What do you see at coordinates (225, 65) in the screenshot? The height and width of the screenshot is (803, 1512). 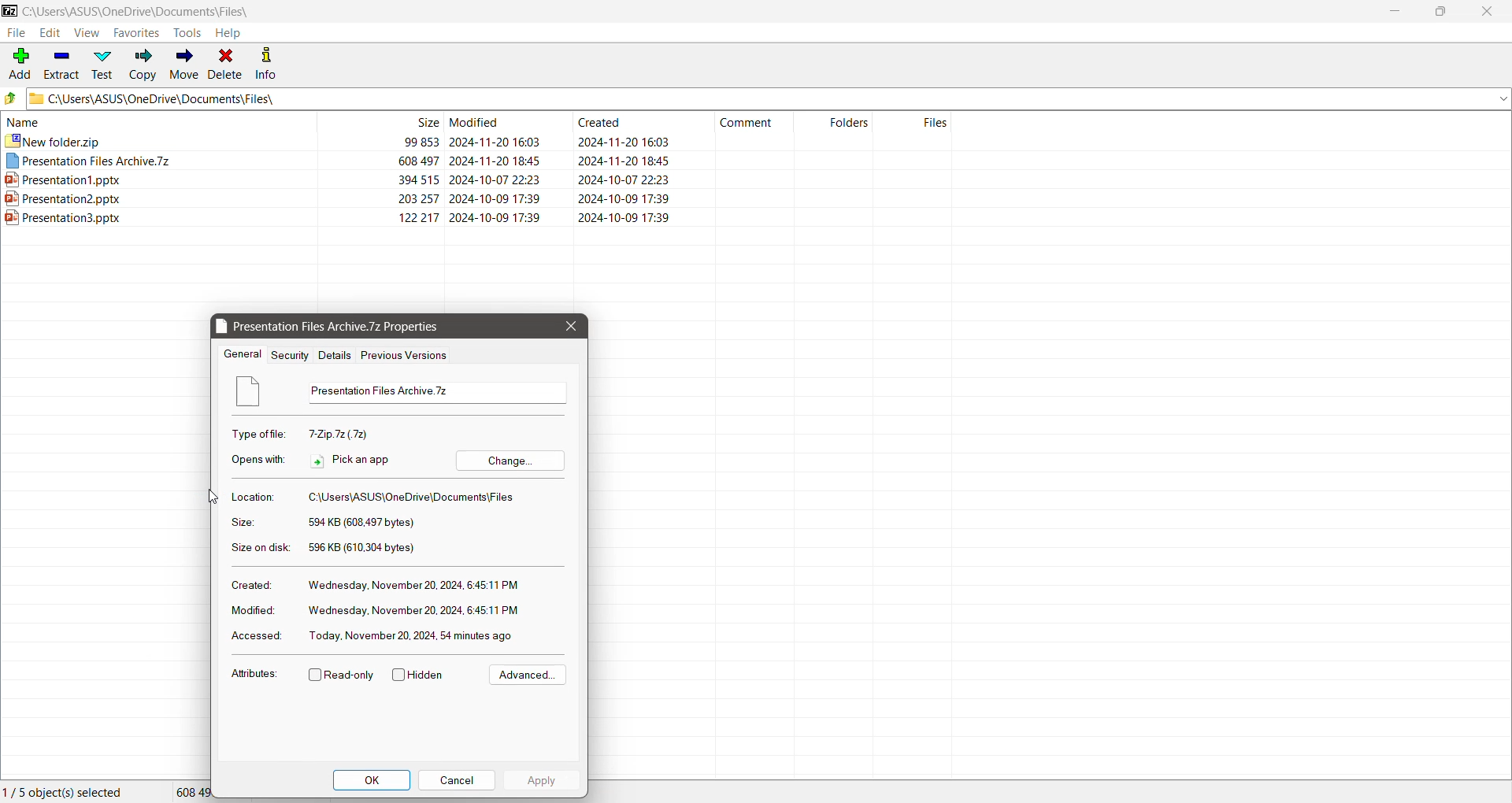 I see `Delete` at bounding box center [225, 65].